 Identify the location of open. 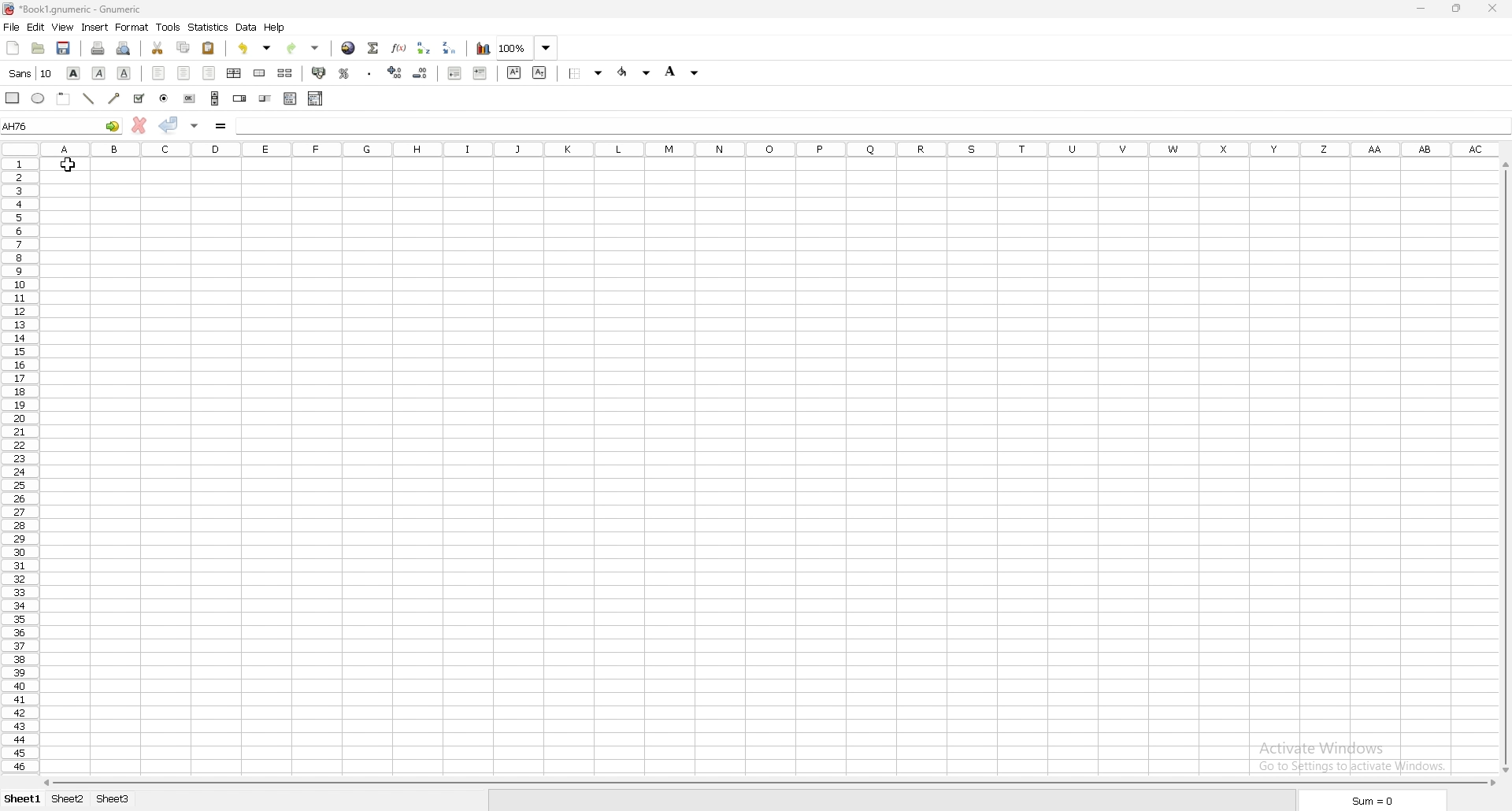
(39, 48).